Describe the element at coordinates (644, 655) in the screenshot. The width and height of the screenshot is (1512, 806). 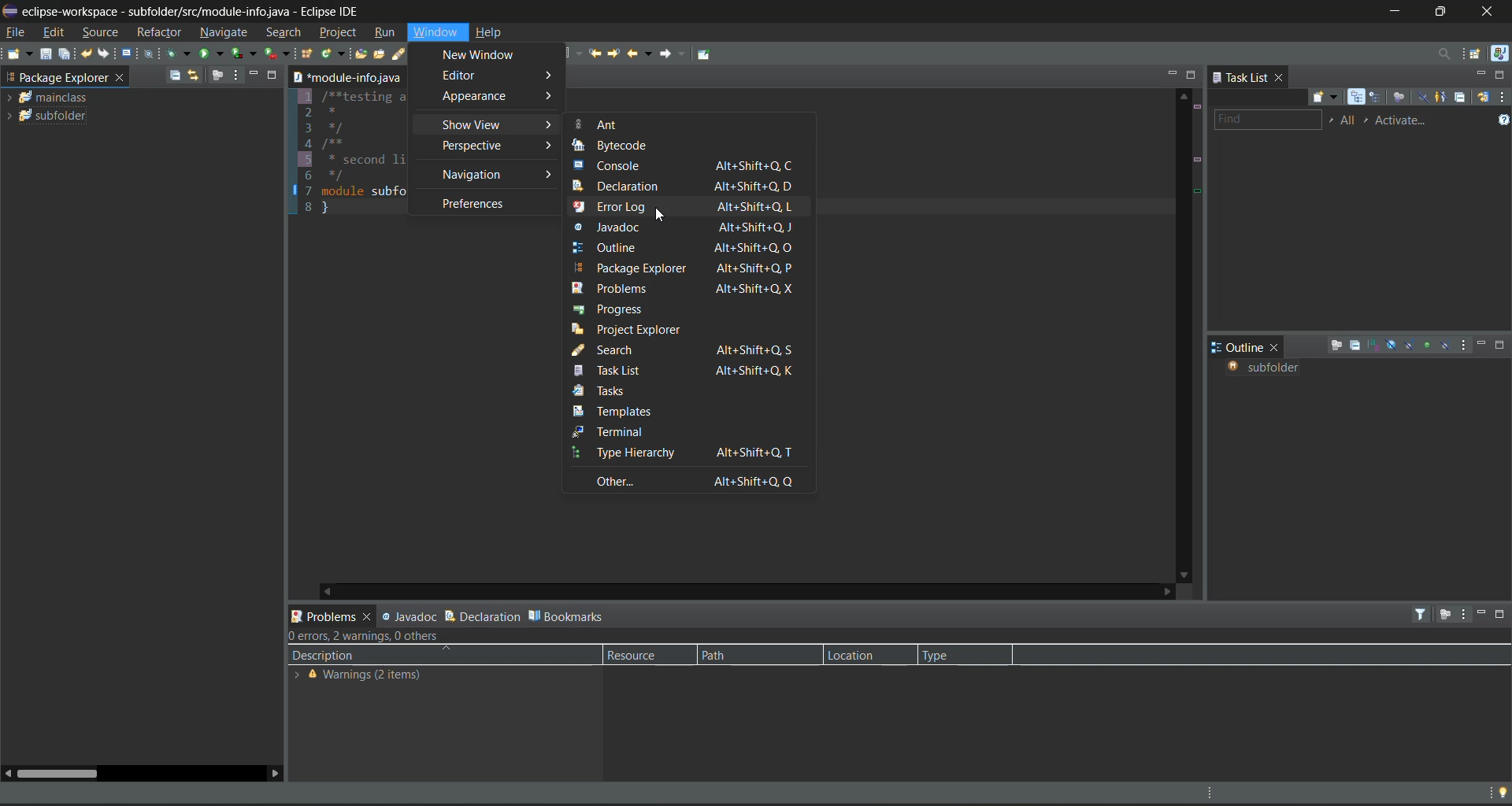
I see `resource` at that location.